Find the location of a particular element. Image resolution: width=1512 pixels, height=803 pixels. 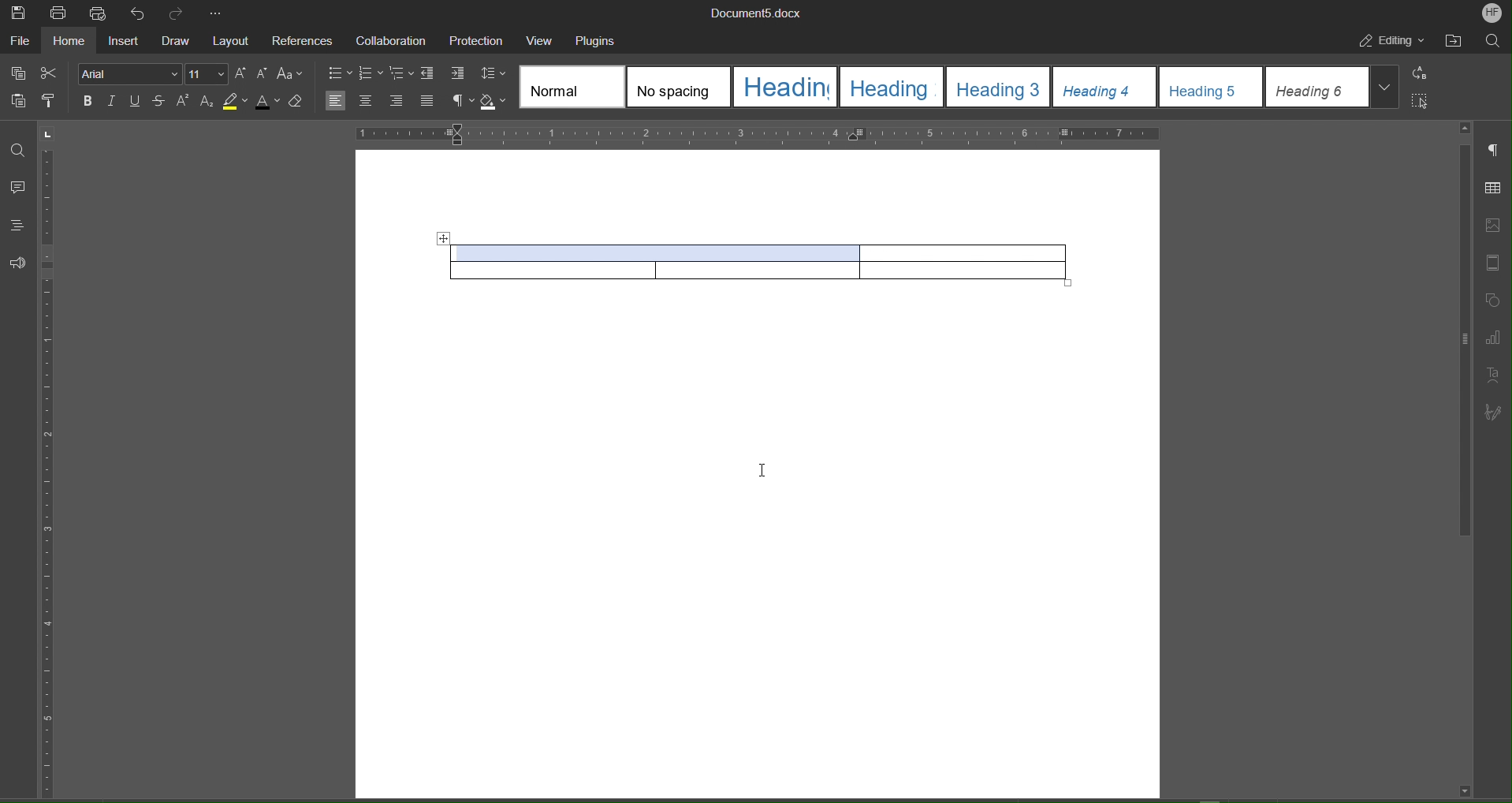

heading 1 is located at coordinates (786, 87).